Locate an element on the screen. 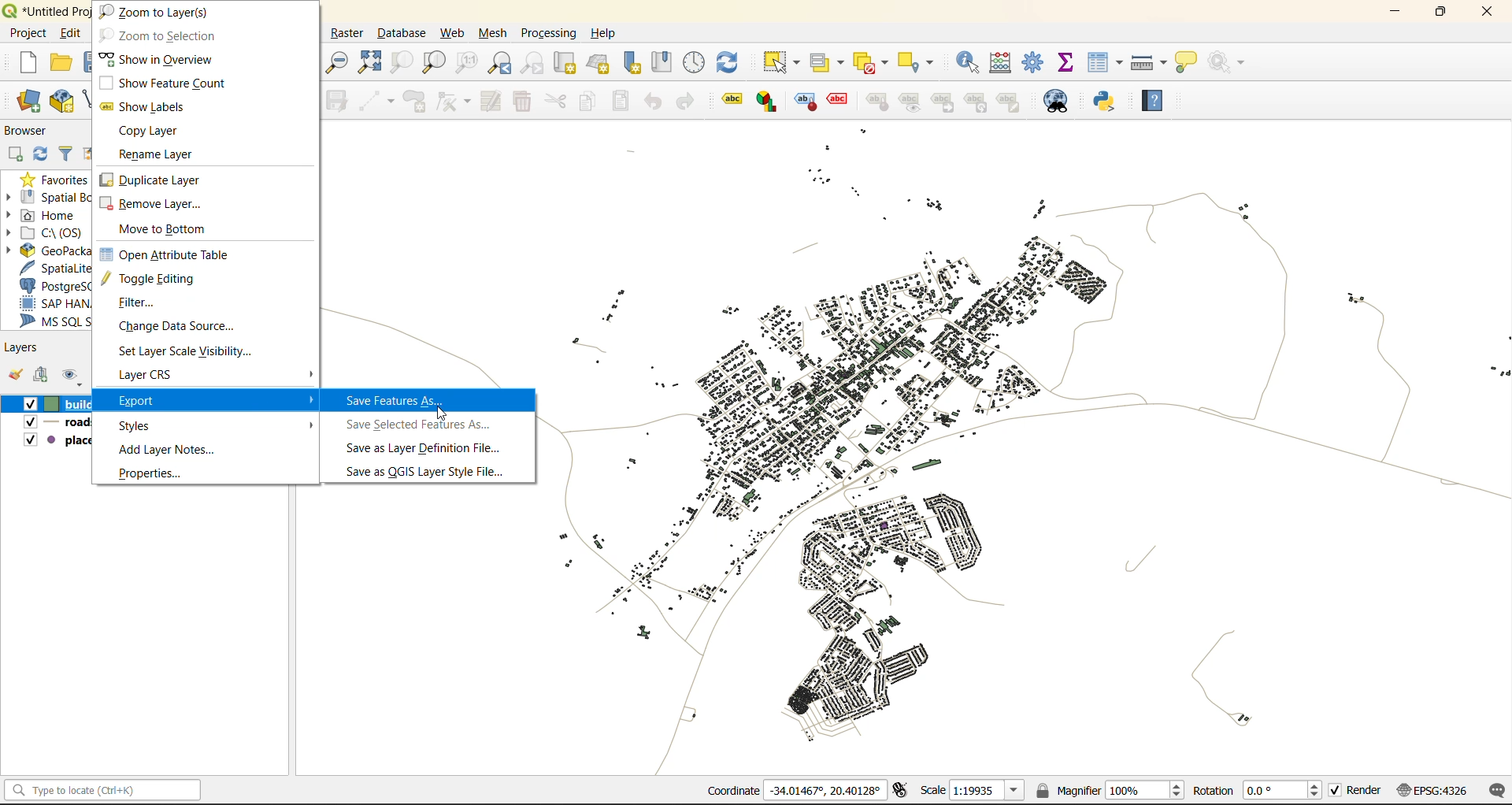  save is located at coordinates (88, 65).